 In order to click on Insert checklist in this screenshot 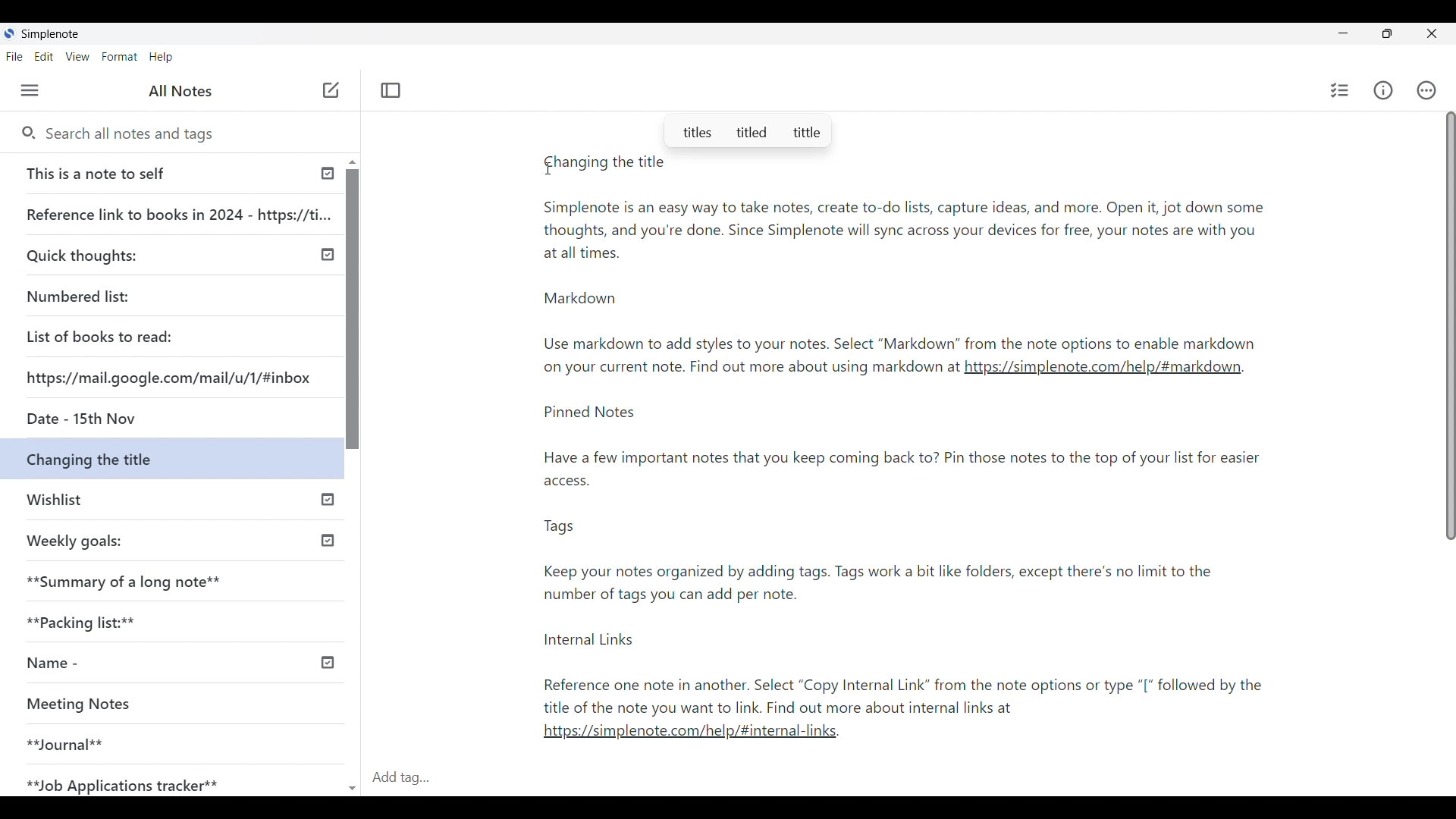, I will do `click(1340, 90)`.